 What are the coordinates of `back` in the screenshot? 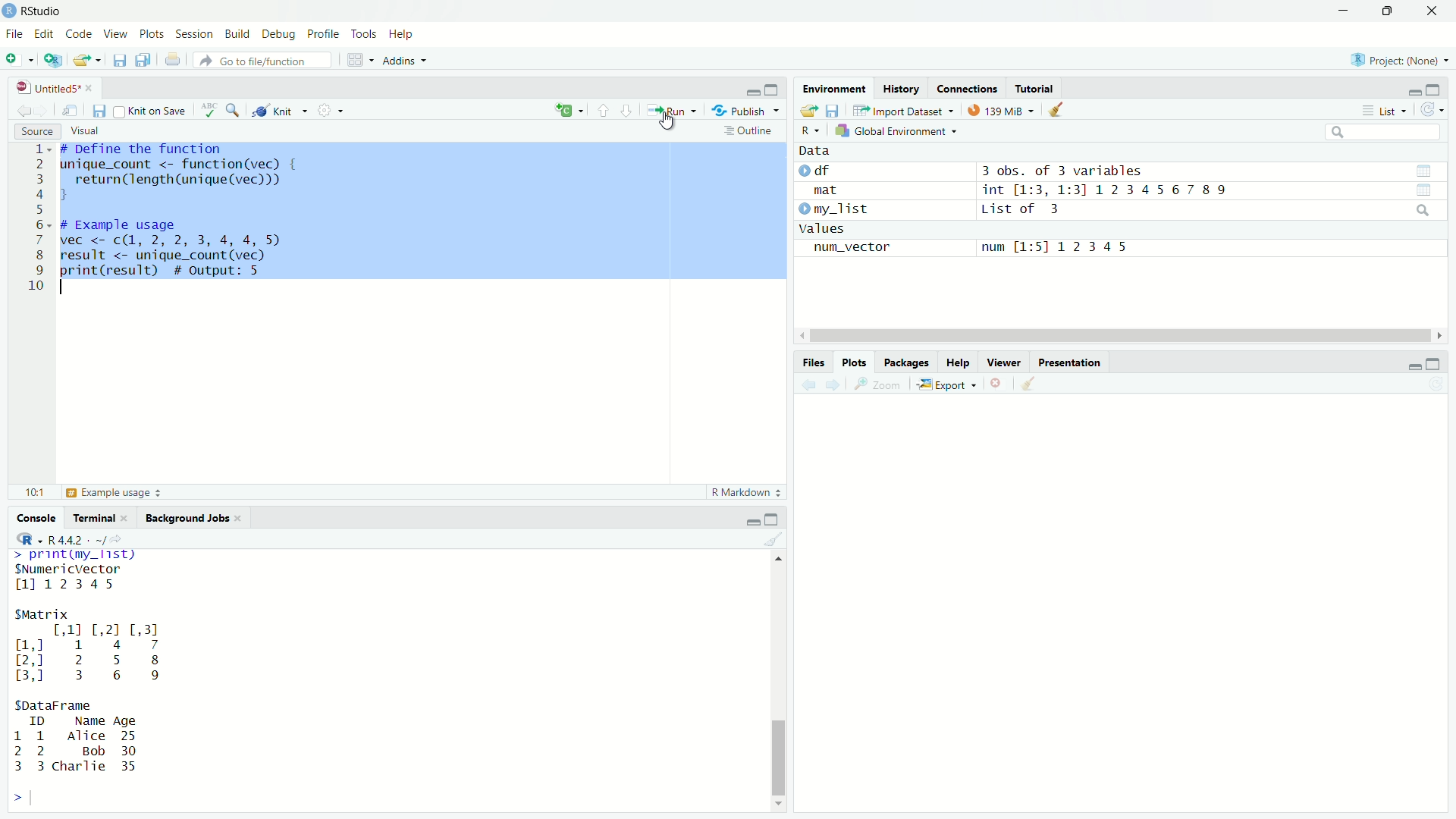 It's located at (811, 385).